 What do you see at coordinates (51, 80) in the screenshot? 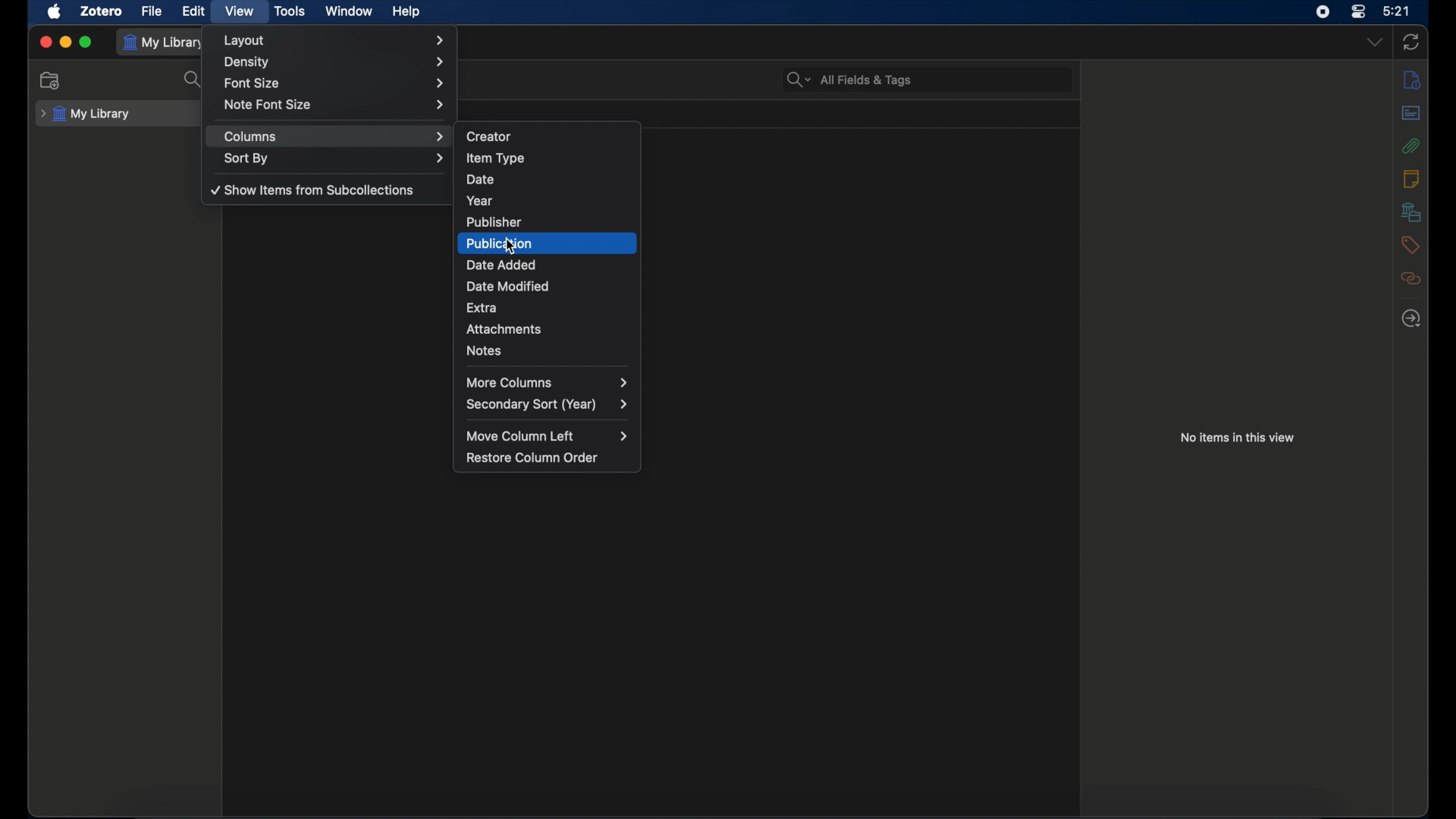
I see `new collection` at bounding box center [51, 80].